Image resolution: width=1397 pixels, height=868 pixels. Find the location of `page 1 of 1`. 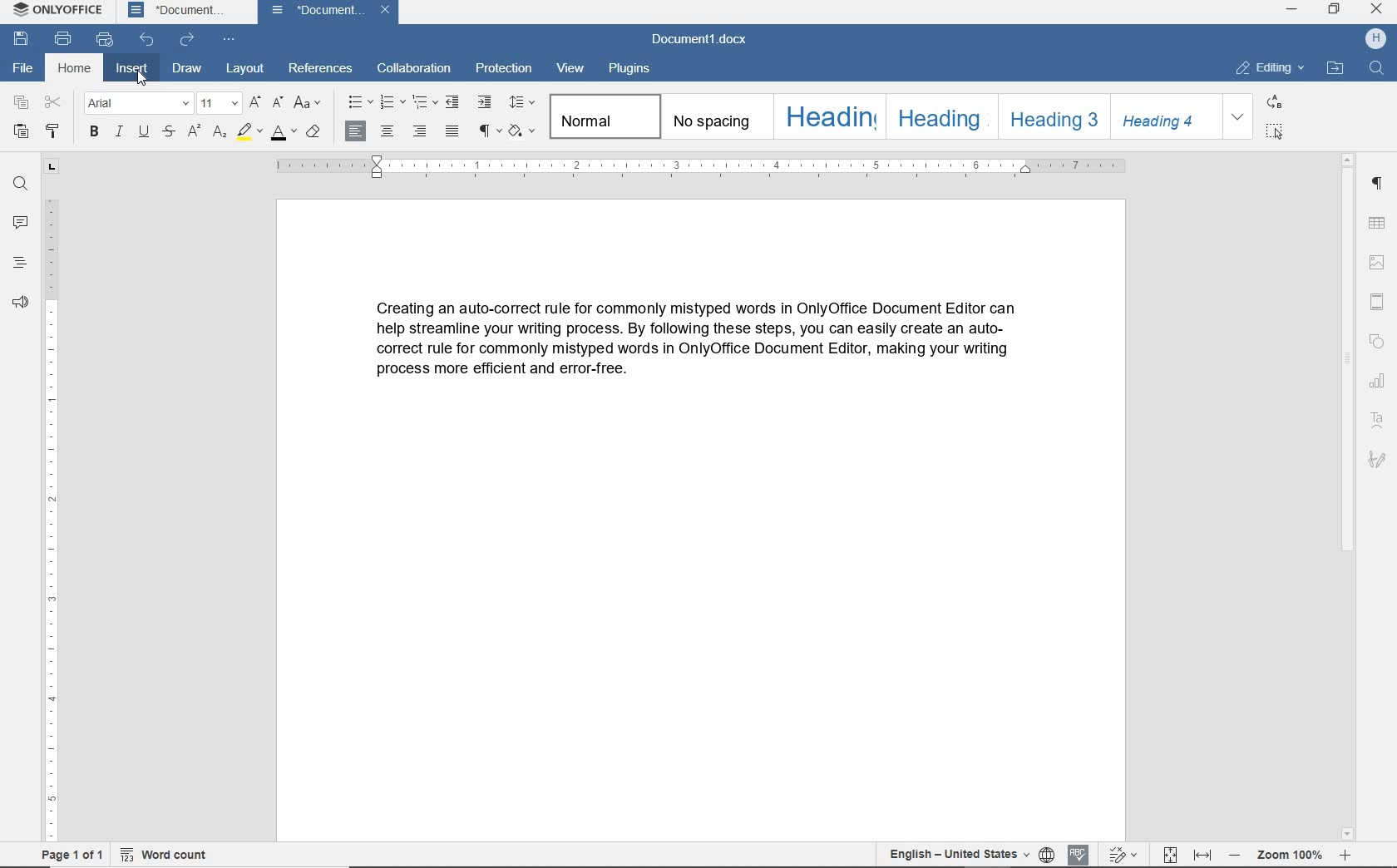

page 1 of 1 is located at coordinates (71, 857).